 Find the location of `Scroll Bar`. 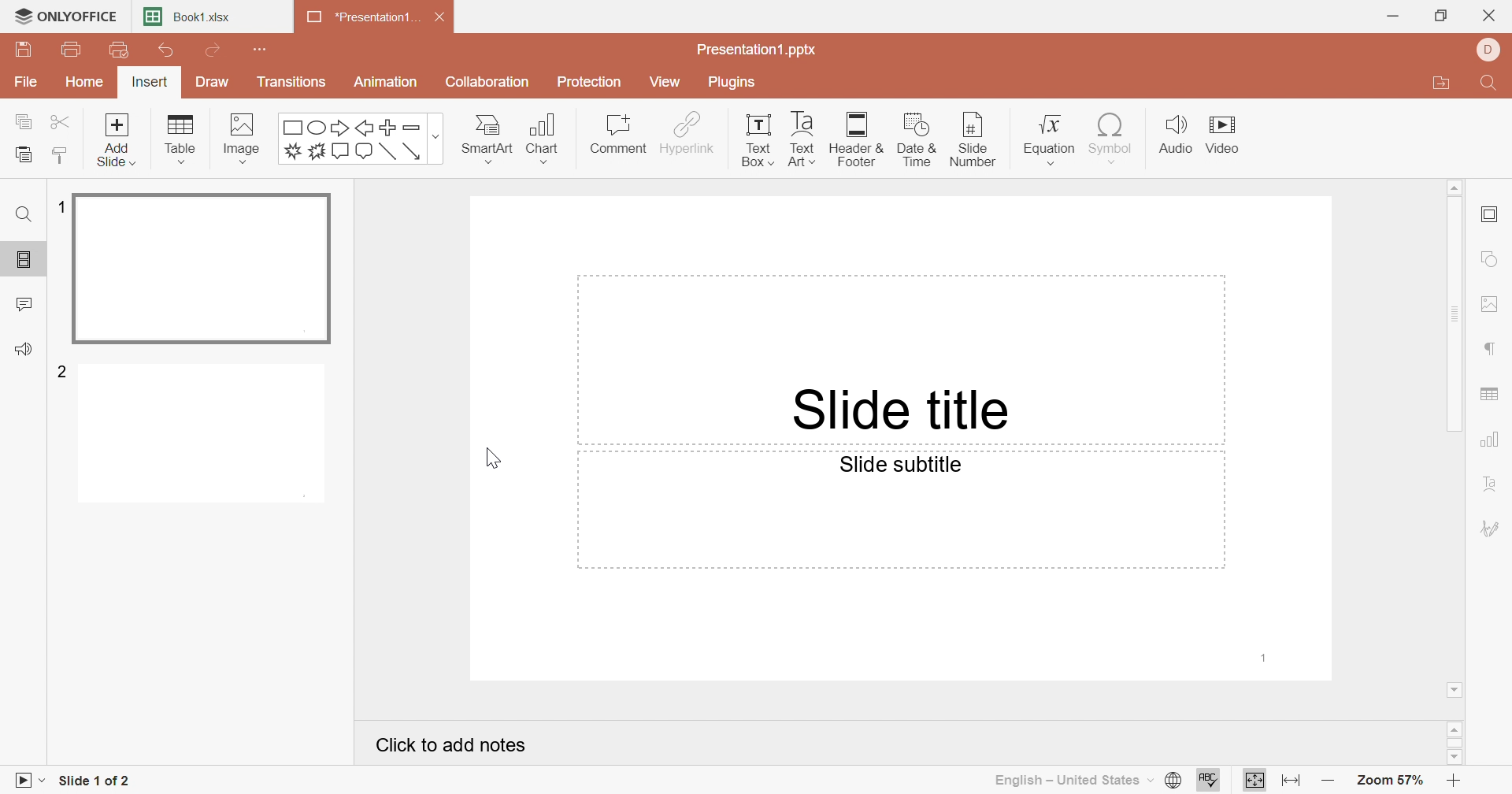

Scroll Bar is located at coordinates (1458, 743).